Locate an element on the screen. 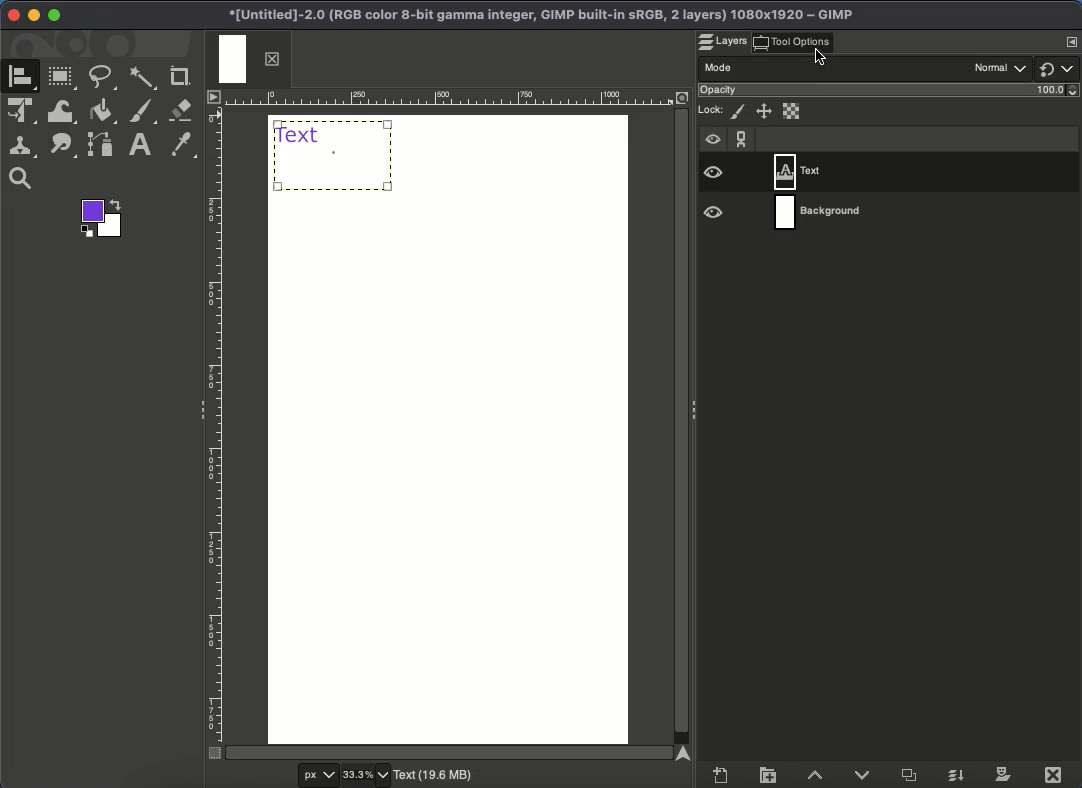 This screenshot has width=1082, height=788. Menu is located at coordinates (1071, 42).